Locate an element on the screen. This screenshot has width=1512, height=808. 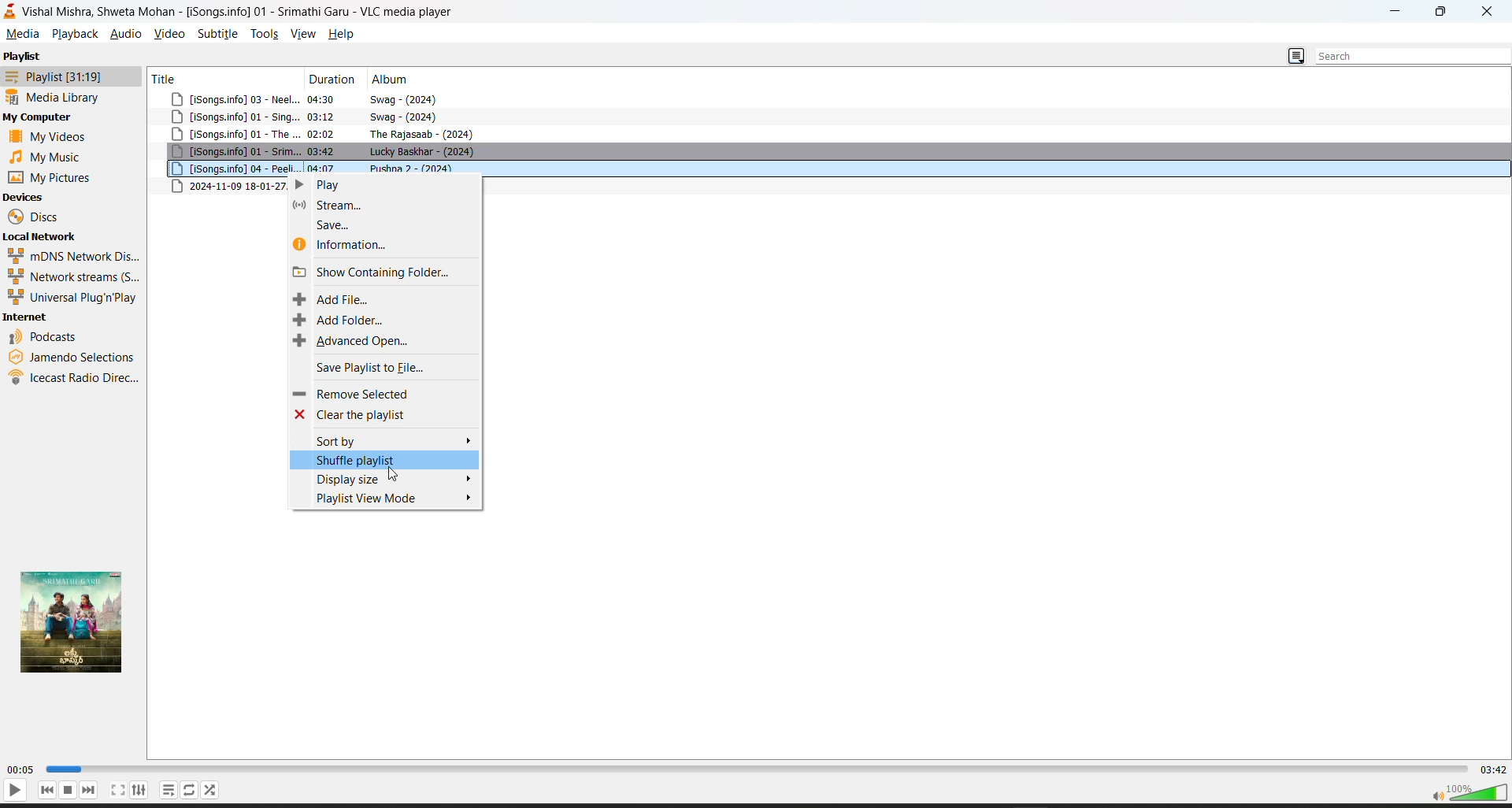
pushpa 2-2024 is located at coordinates (419, 169).